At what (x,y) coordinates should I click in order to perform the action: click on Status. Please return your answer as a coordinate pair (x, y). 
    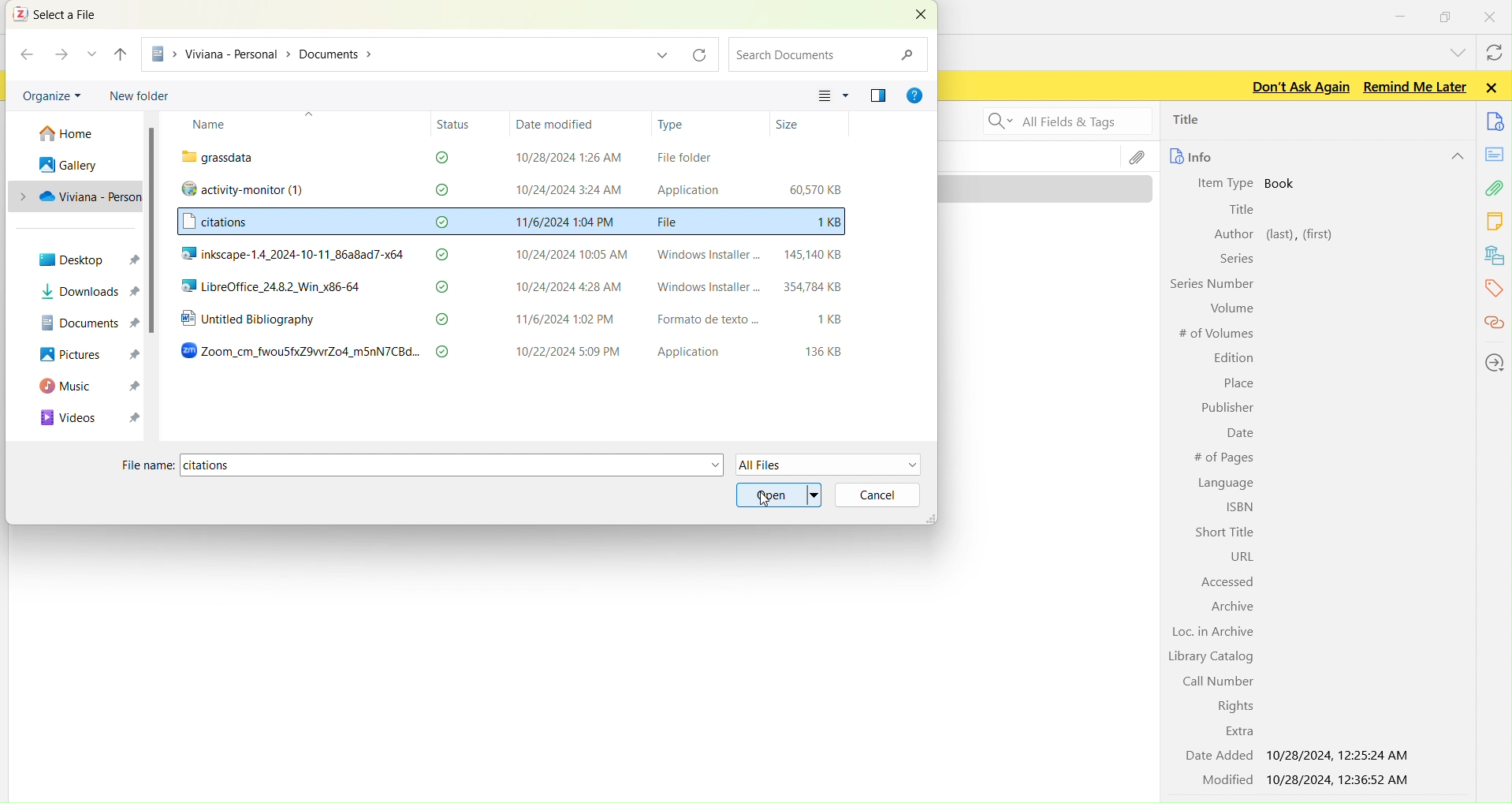
    Looking at the image, I should click on (449, 125).